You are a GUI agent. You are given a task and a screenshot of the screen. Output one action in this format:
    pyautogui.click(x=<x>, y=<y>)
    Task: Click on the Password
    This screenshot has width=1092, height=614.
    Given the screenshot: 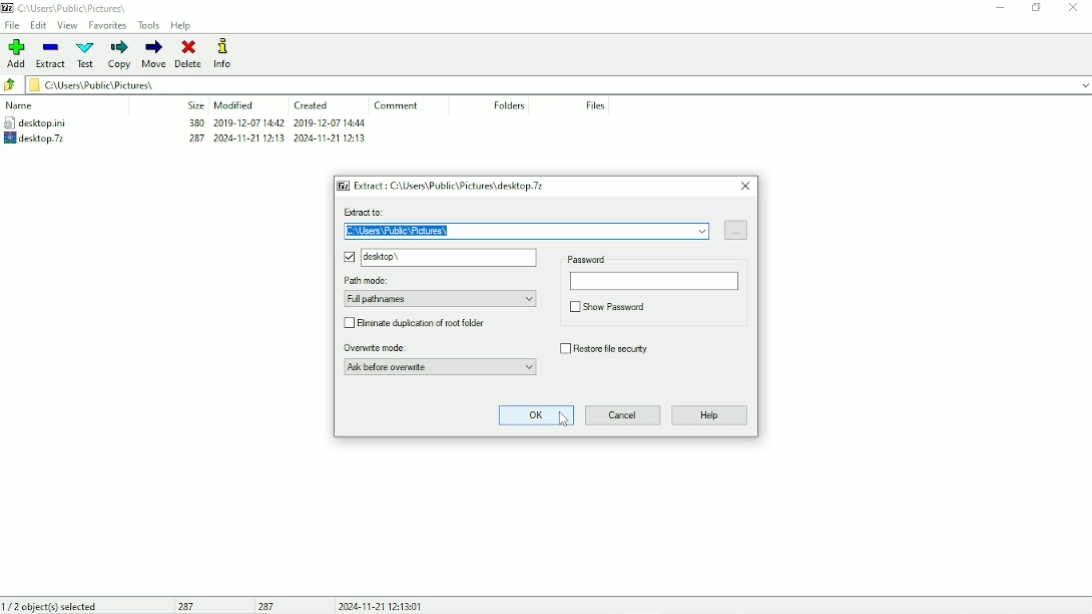 What is the action you would take?
    pyautogui.click(x=652, y=271)
    